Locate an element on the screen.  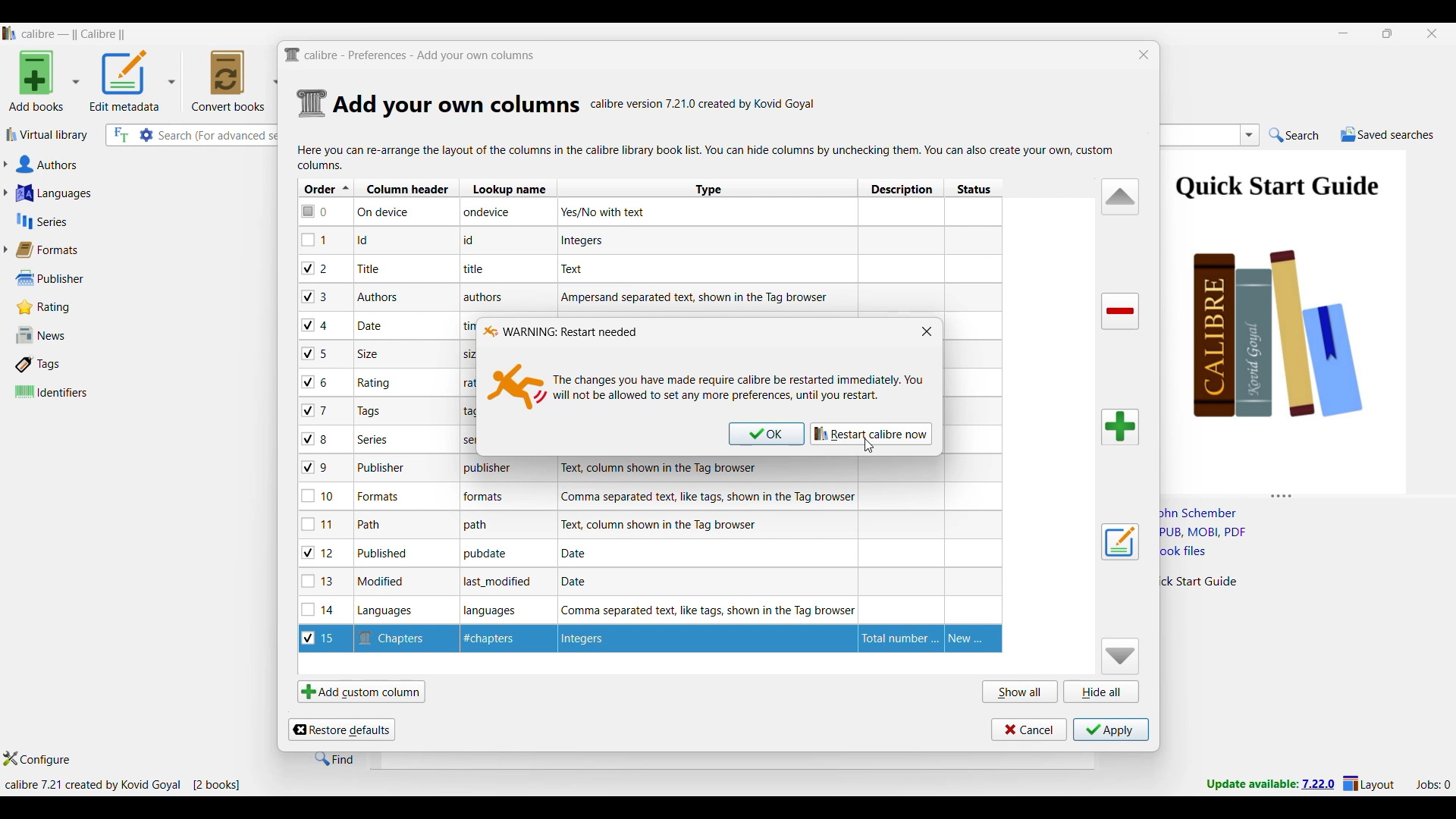
Software details is located at coordinates (704, 104).